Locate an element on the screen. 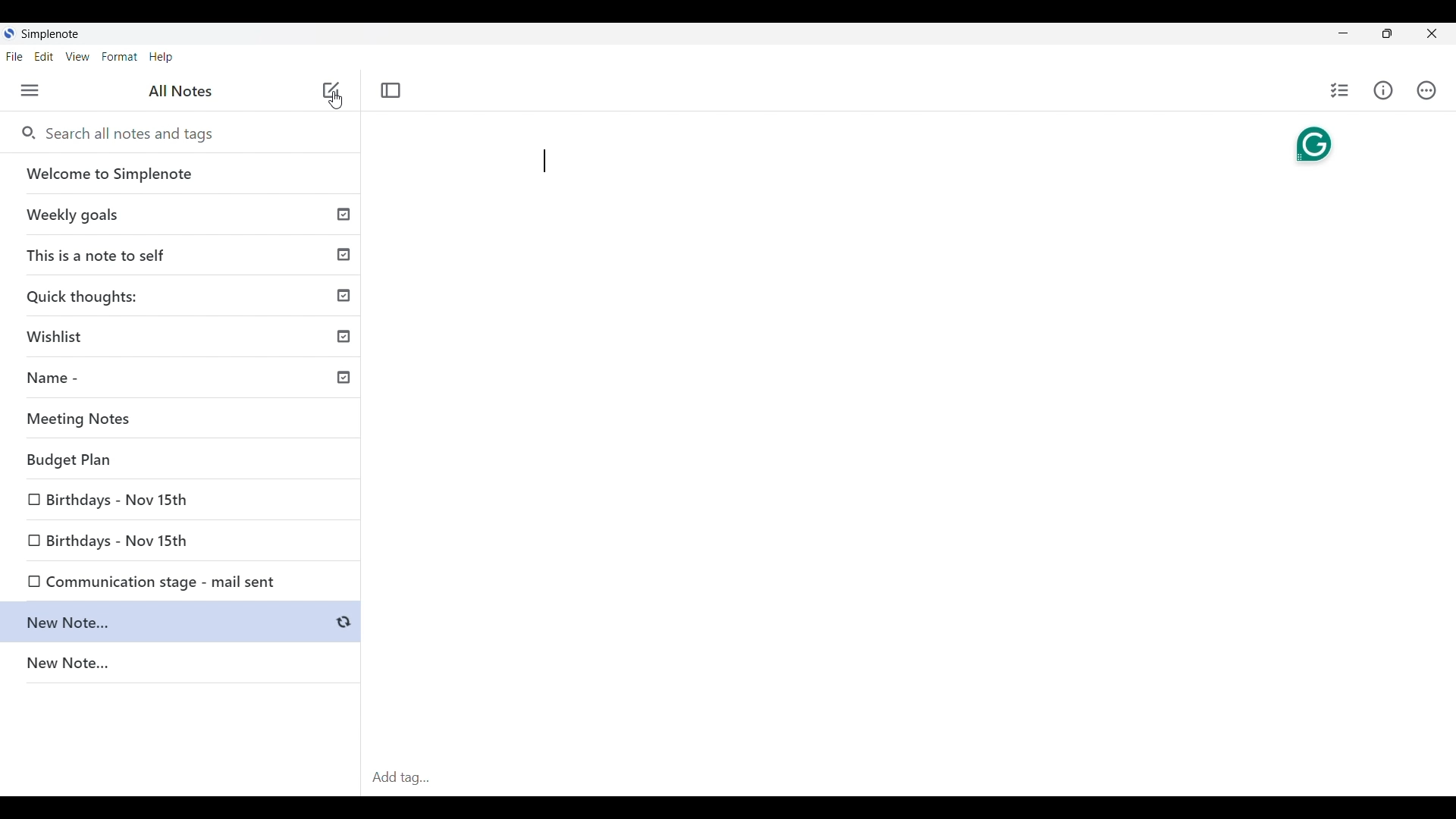  Click to type in tag is located at coordinates (908, 778).